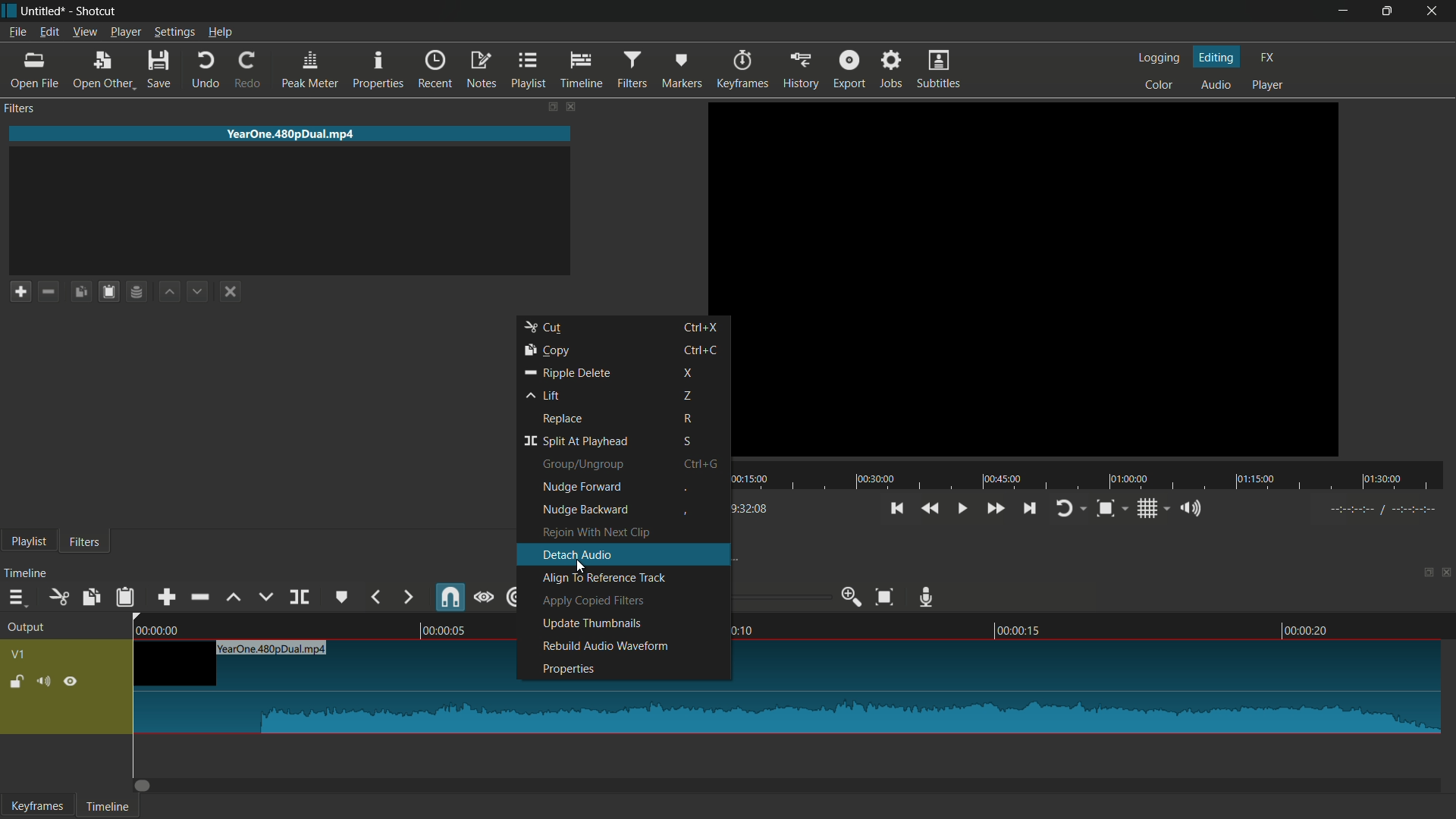  What do you see at coordinates (289, 134) in the screenshot?
I see `imported file name` at bounding box center [289, 134].